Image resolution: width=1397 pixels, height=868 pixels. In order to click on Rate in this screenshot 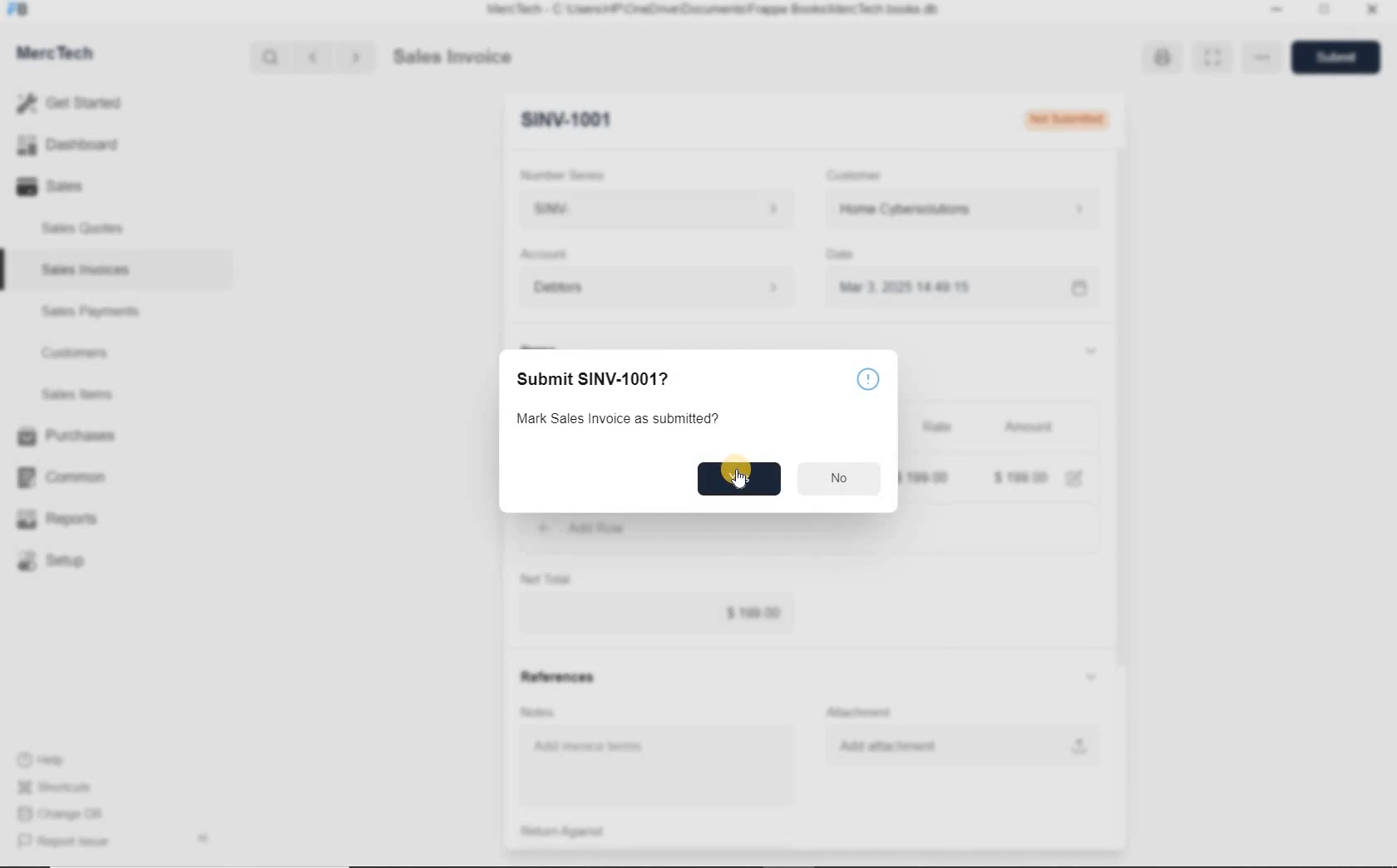, I will do `click(935, 428)`.